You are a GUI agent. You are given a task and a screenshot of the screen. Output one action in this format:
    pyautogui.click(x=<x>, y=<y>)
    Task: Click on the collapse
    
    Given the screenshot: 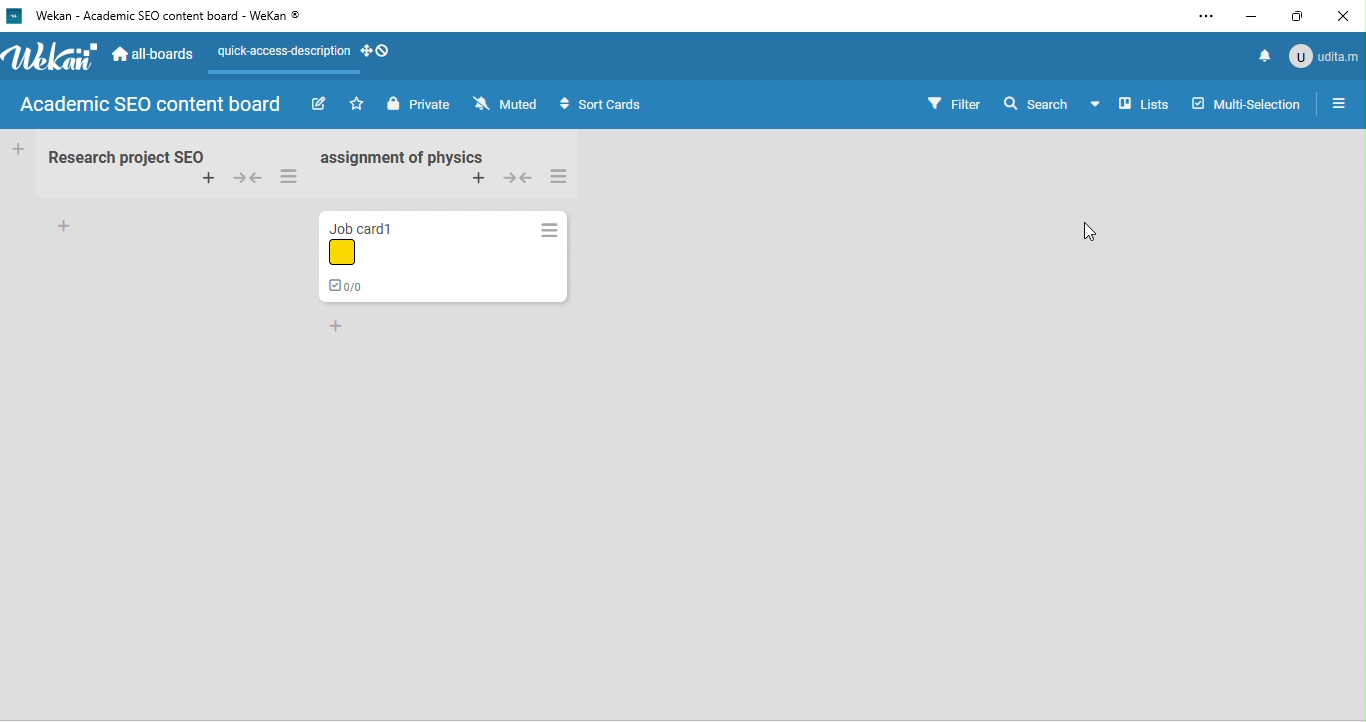 What is the action you would take?
    pyautogui.click(x=247, y=177)
    